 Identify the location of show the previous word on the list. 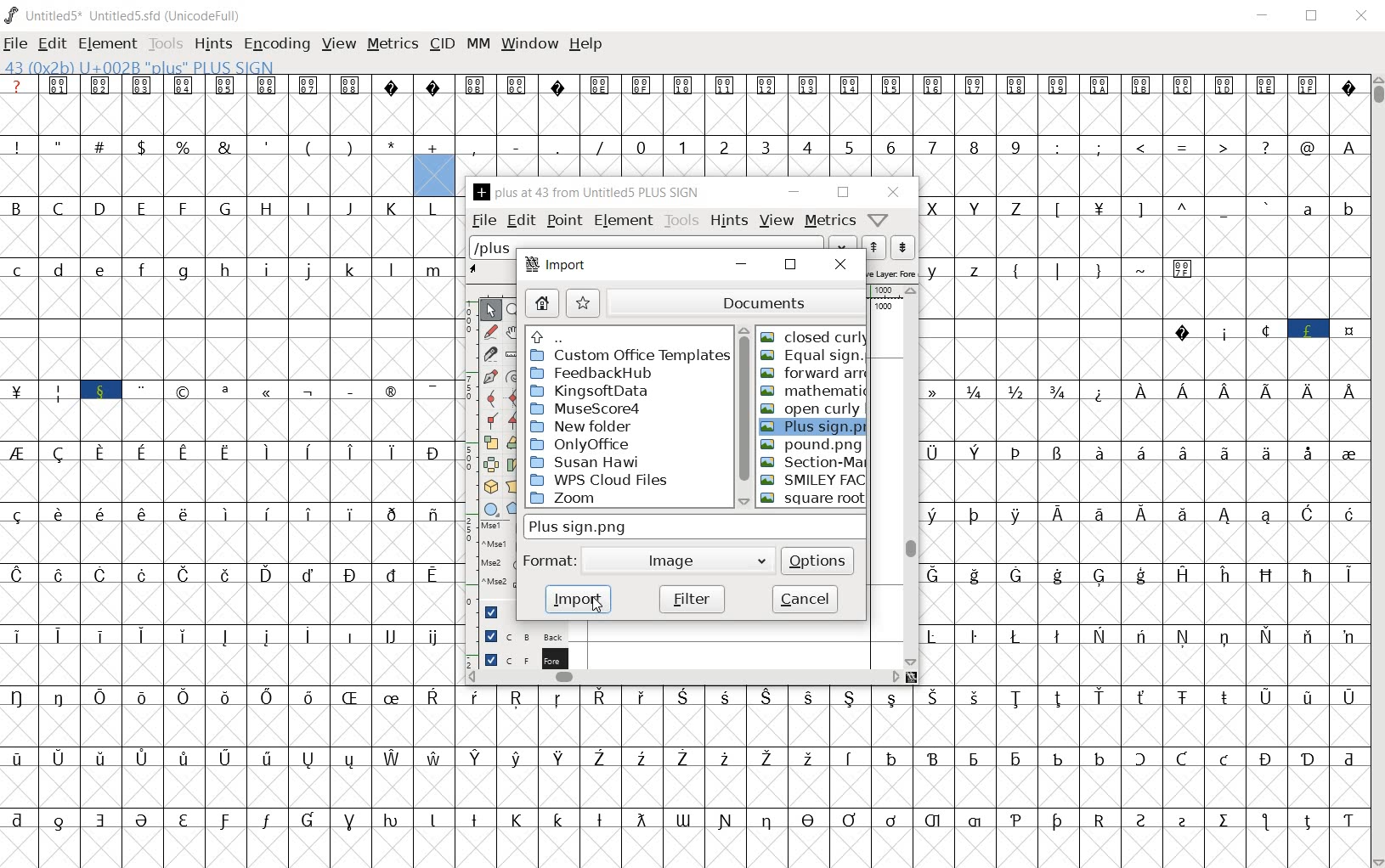
(904, 248).